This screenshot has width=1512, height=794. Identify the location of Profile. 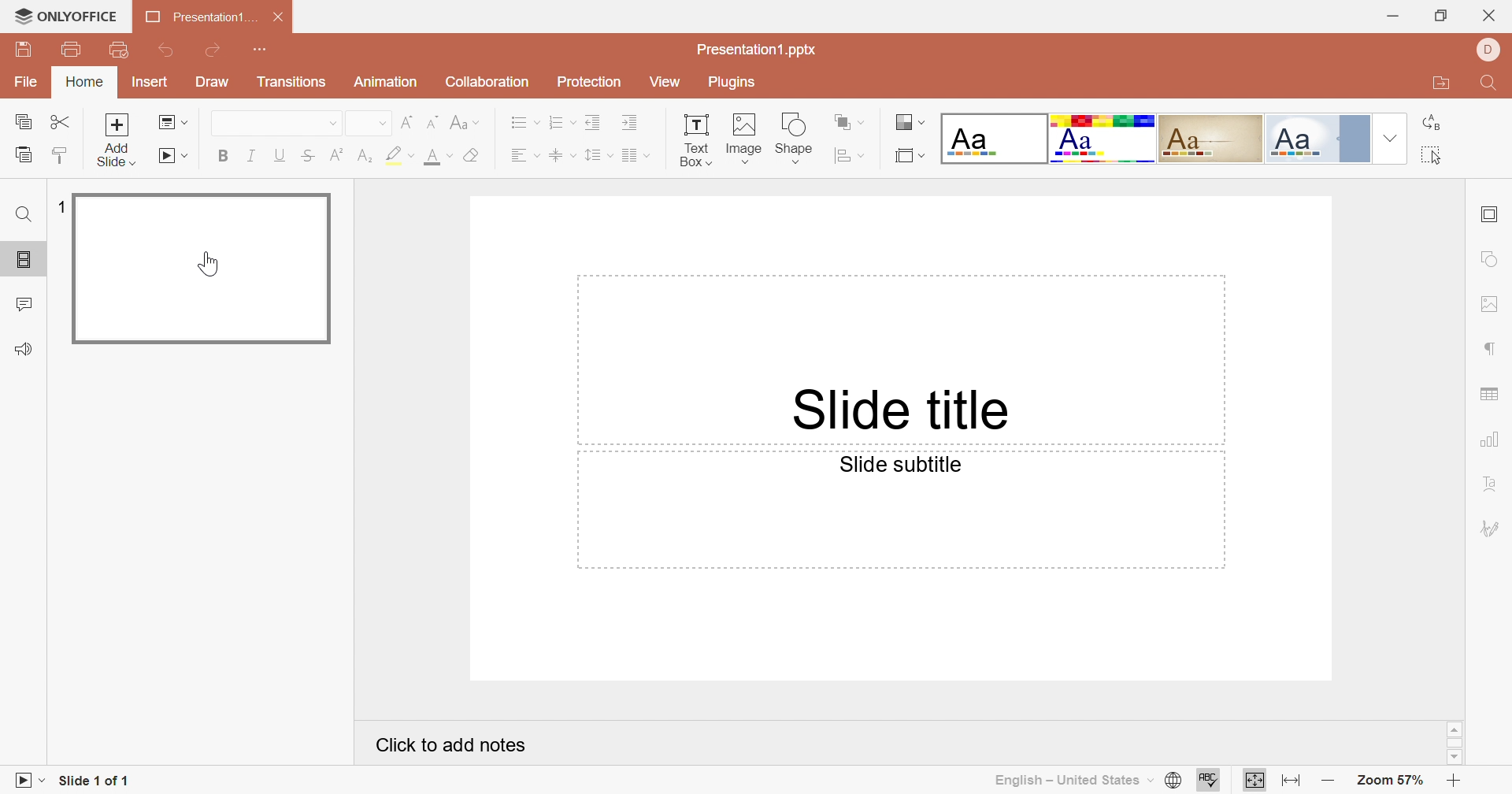
(1489, 51).